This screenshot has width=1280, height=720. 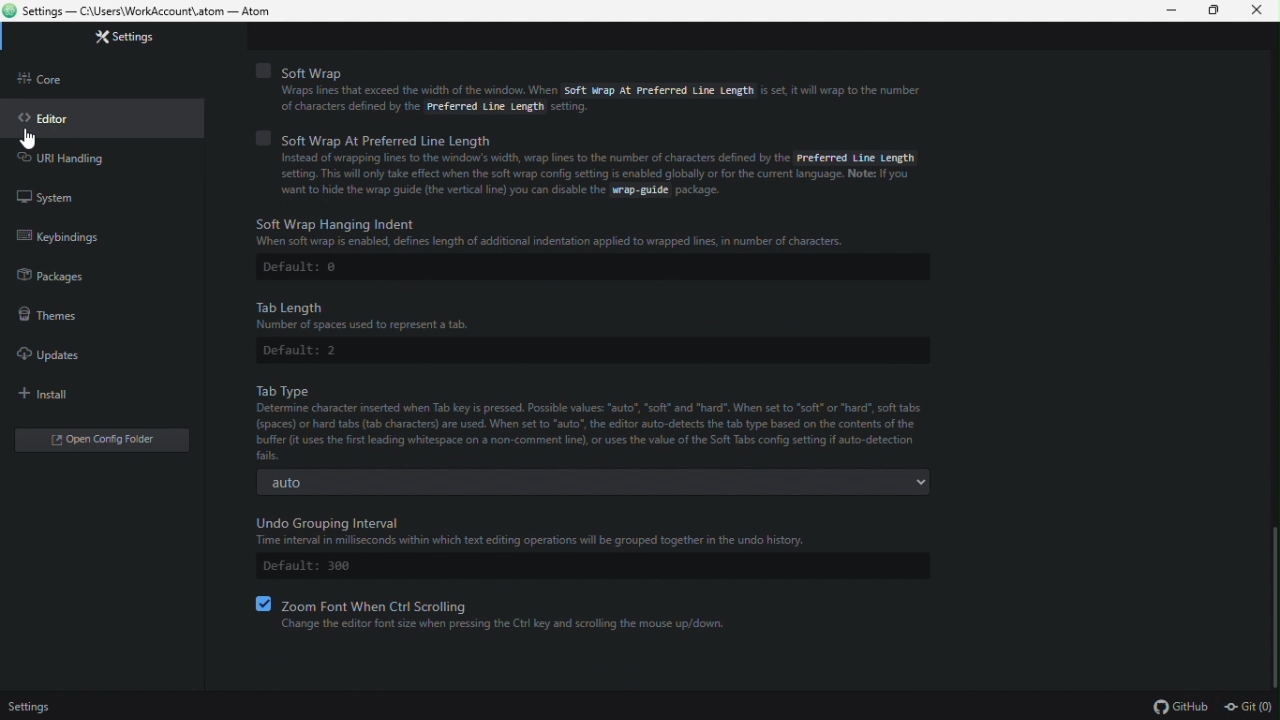 What do you see at coordinates (1250, 707) in the screenshot?
I see `git` at bounding box center [1250, 707].